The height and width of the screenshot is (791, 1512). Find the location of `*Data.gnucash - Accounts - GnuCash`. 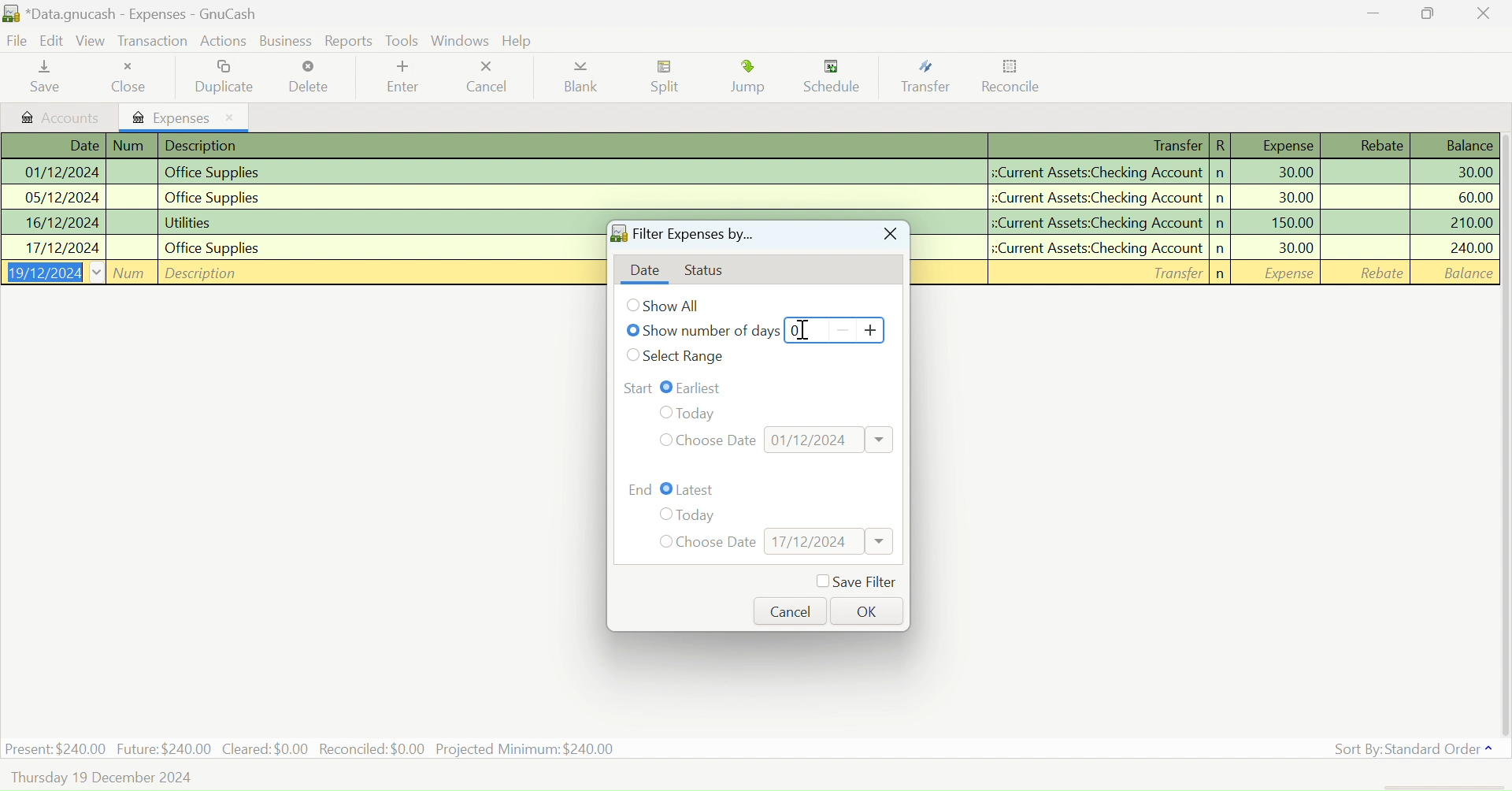

*Data.gnucash - Accounts - GnuCash is located at coordinates (133, 15).